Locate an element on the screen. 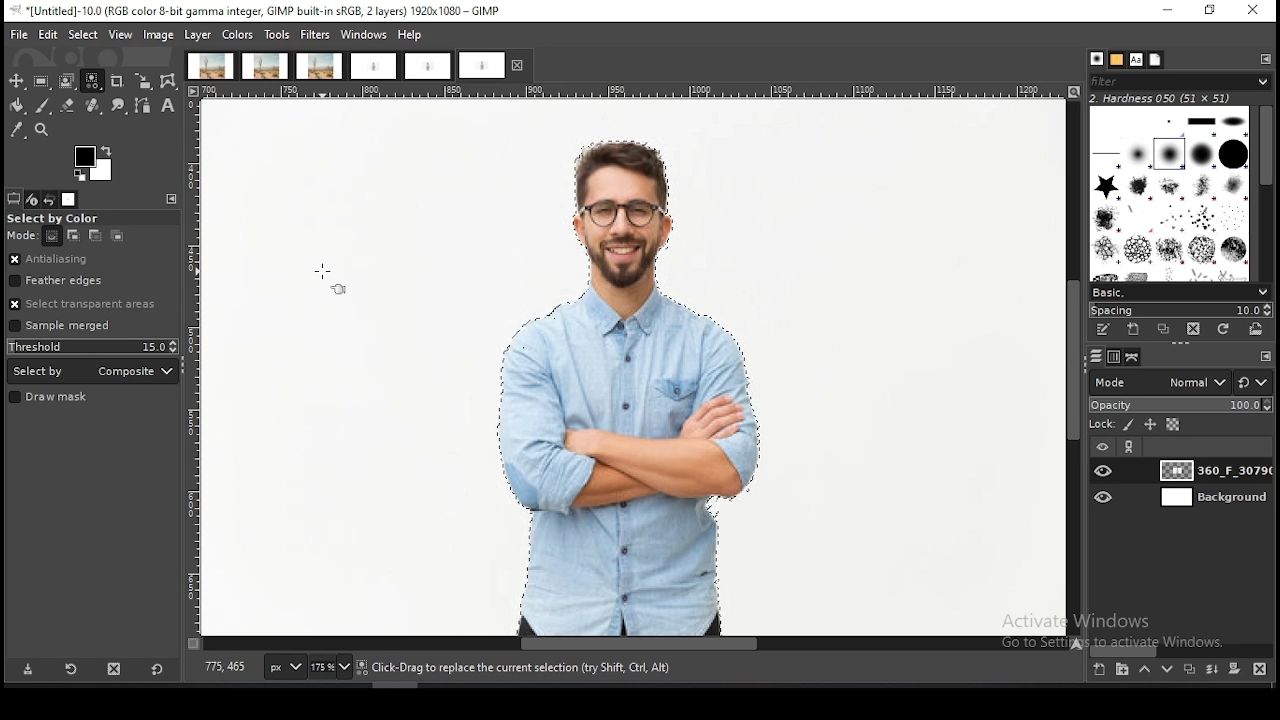  lock is located at coordinates (1100, 425).